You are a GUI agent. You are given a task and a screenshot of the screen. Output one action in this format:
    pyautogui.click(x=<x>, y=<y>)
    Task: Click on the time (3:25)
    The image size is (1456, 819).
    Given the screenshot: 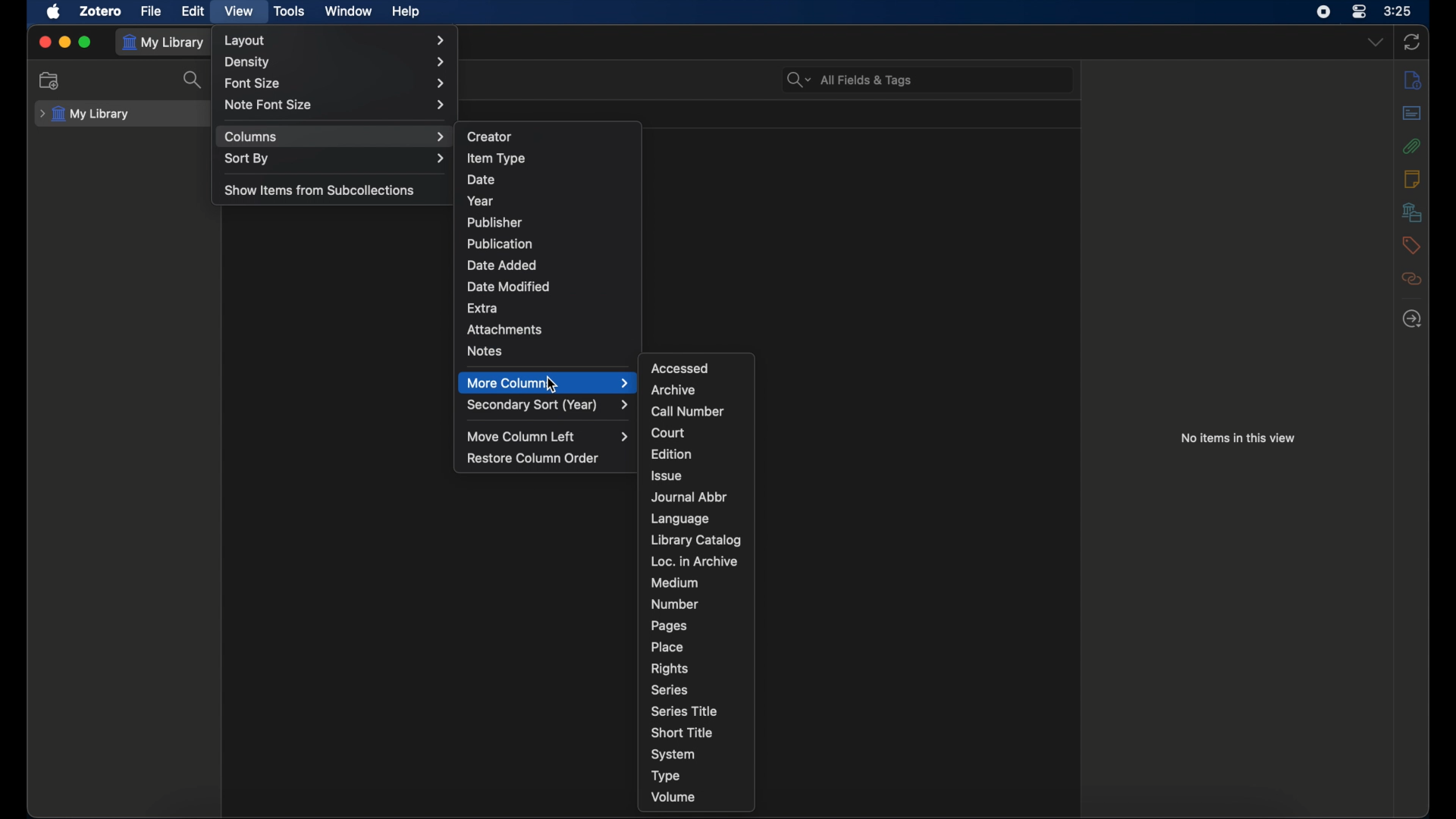 What is the action you would take?
    pyautogui.click(x=1400, y=11)
    